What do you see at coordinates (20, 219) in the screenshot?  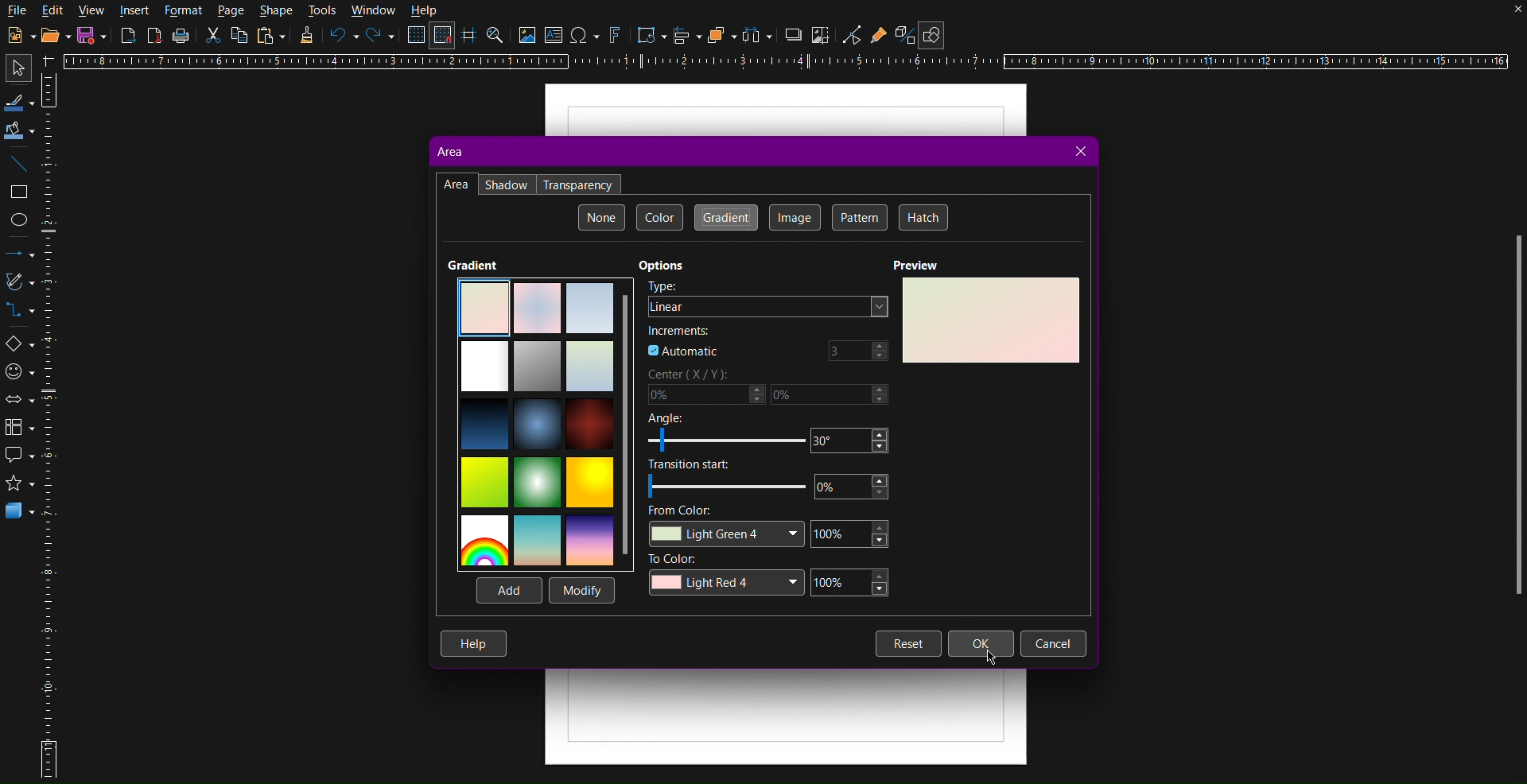 I see `Circle` at bounding box center [20, 219].